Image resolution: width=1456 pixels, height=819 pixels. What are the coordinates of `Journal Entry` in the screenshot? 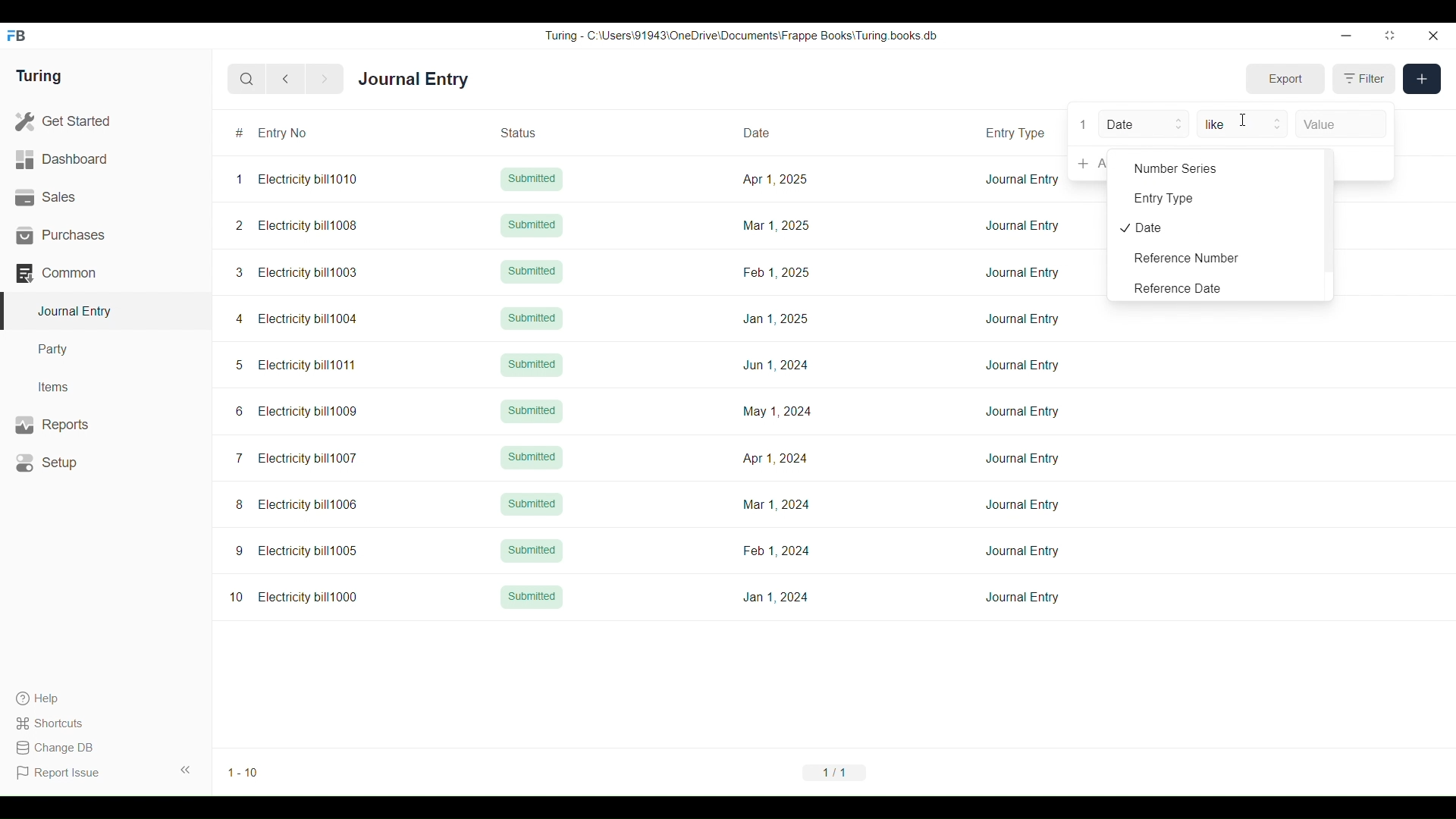 It's located at (1022, 318).